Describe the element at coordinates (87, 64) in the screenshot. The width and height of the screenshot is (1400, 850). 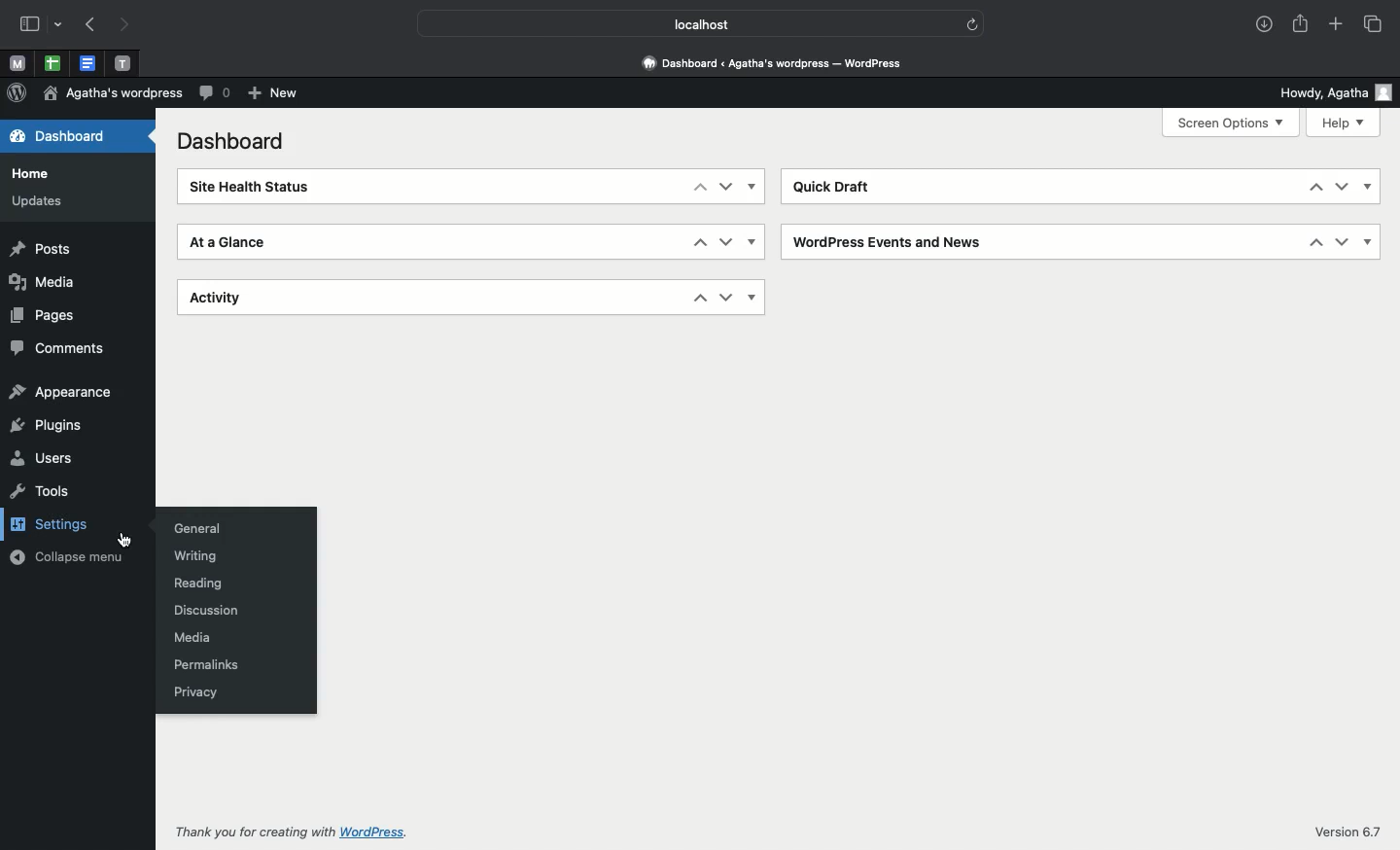
I see `Pinned tabs` at that location.